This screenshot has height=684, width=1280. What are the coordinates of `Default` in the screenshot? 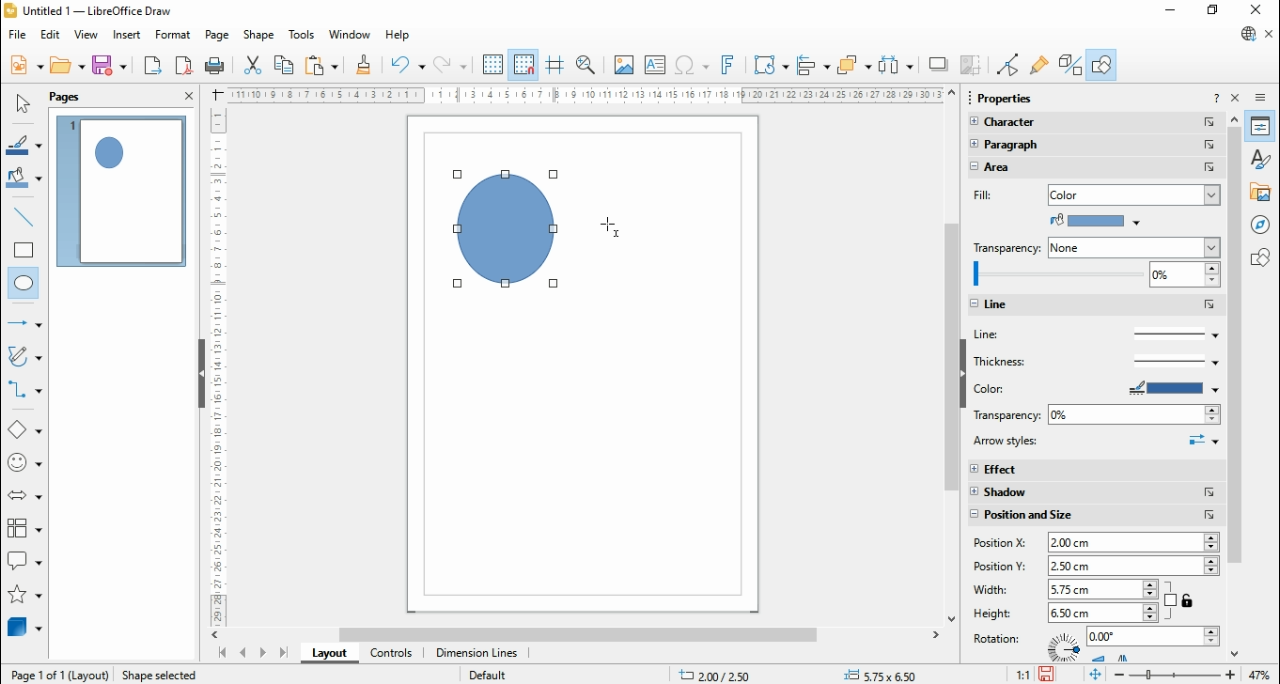 It's located at (487, 673).